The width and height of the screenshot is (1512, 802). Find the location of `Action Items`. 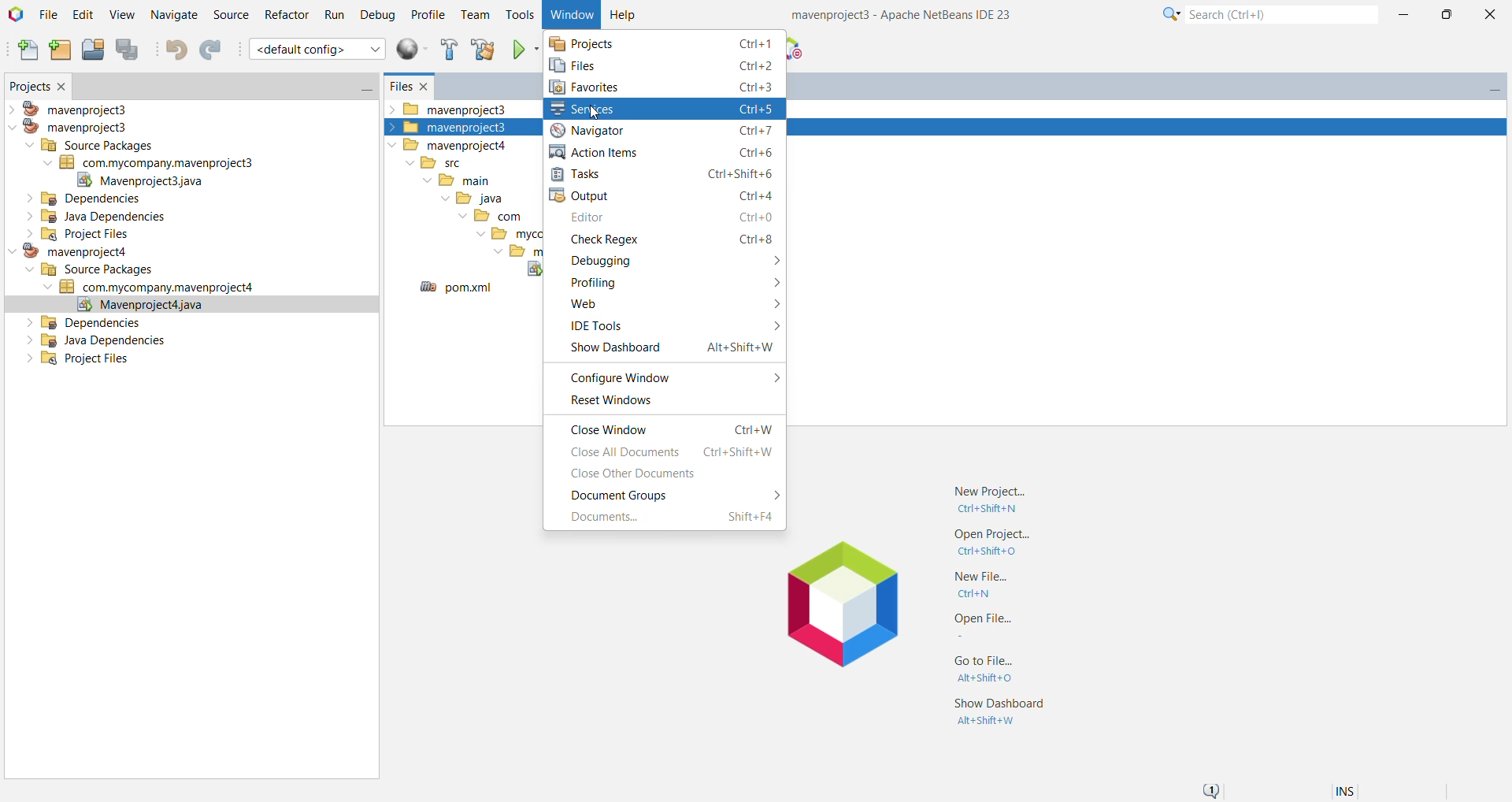

Action Items is located at coordinates (663, 152).